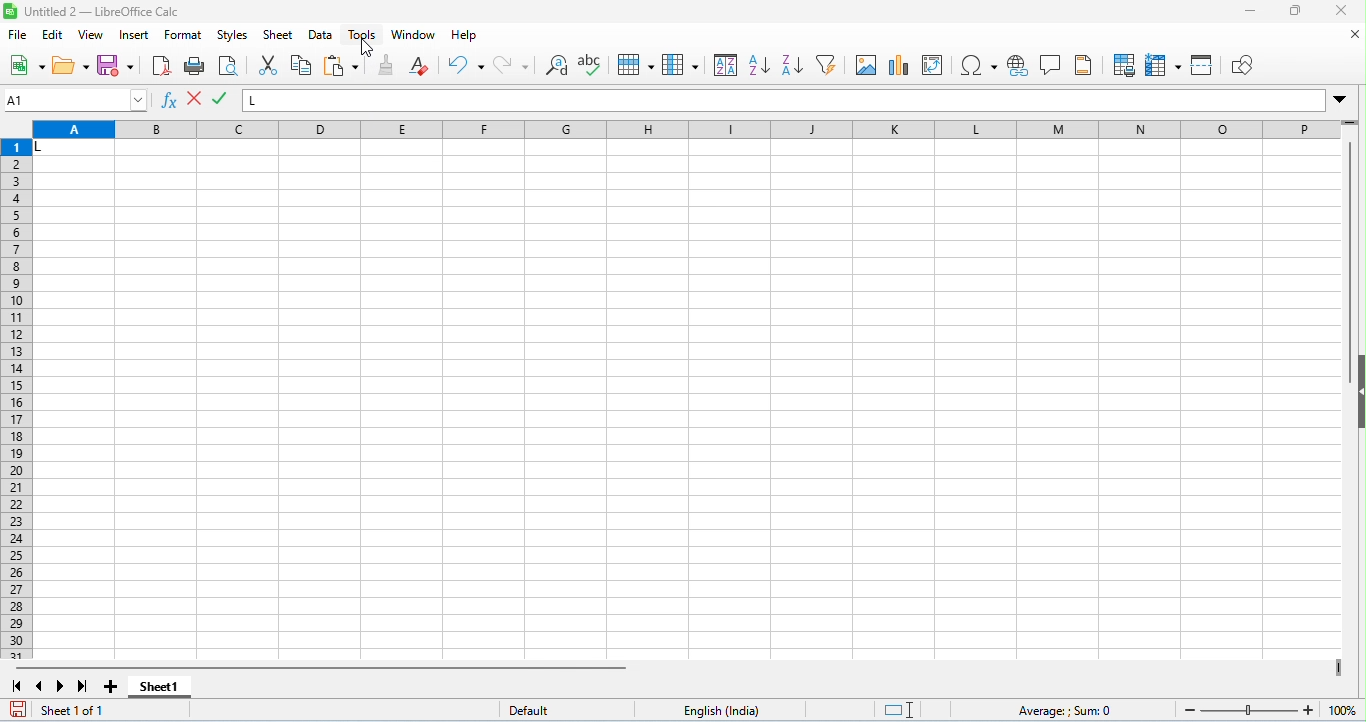 This screenshot has height=722, width=1366. Describe the element at coordinates (1240, 66) in the screenshot. I see `show draw functions` at that location.